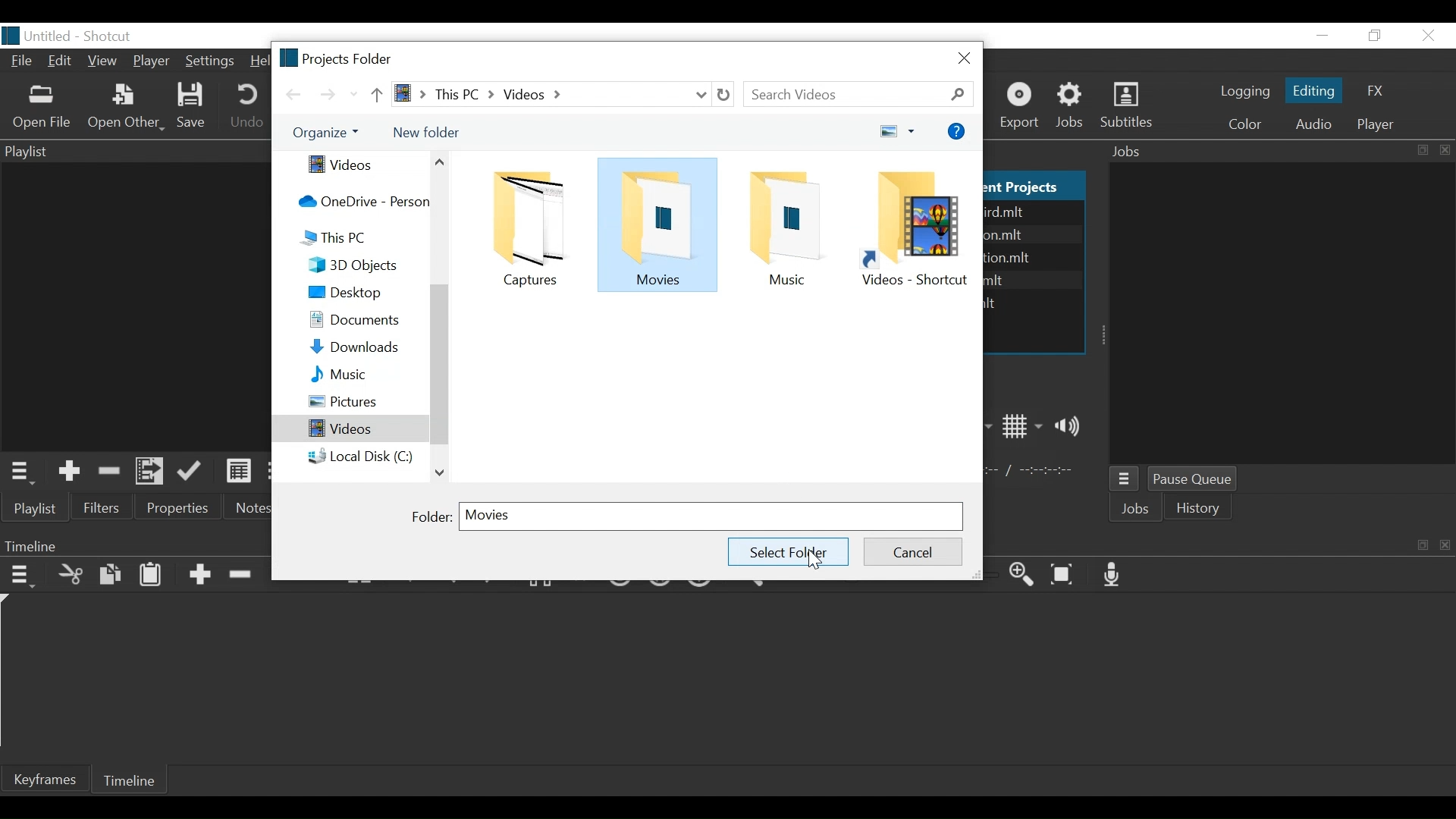 The image size is (1456, 819). What do you see at coordinates (362, 400) in the screenshot?
I see `Pictures` at bounding box center [362, 400].